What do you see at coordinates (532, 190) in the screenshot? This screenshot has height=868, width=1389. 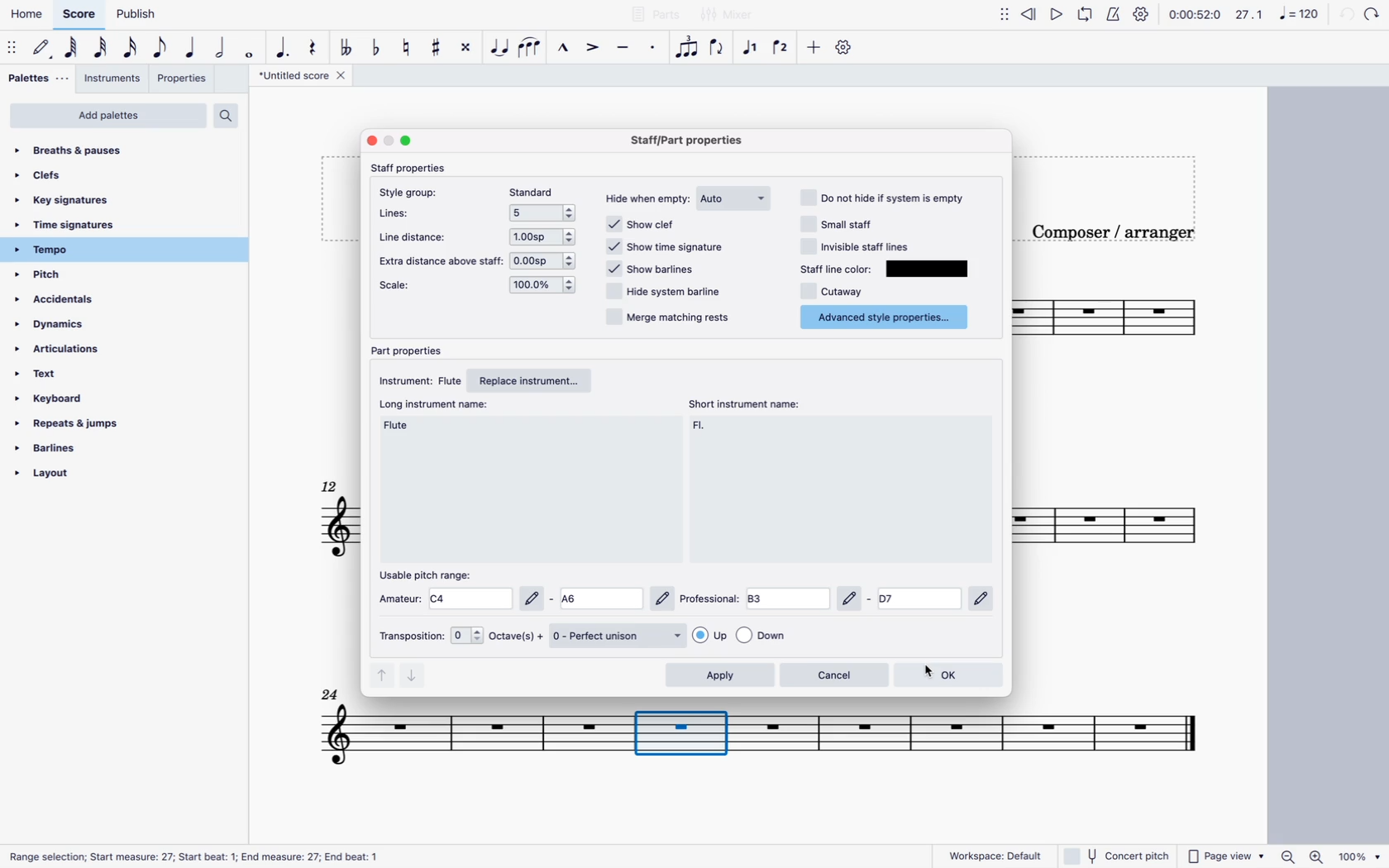 I see `standard` at bounding box center [532, 190].